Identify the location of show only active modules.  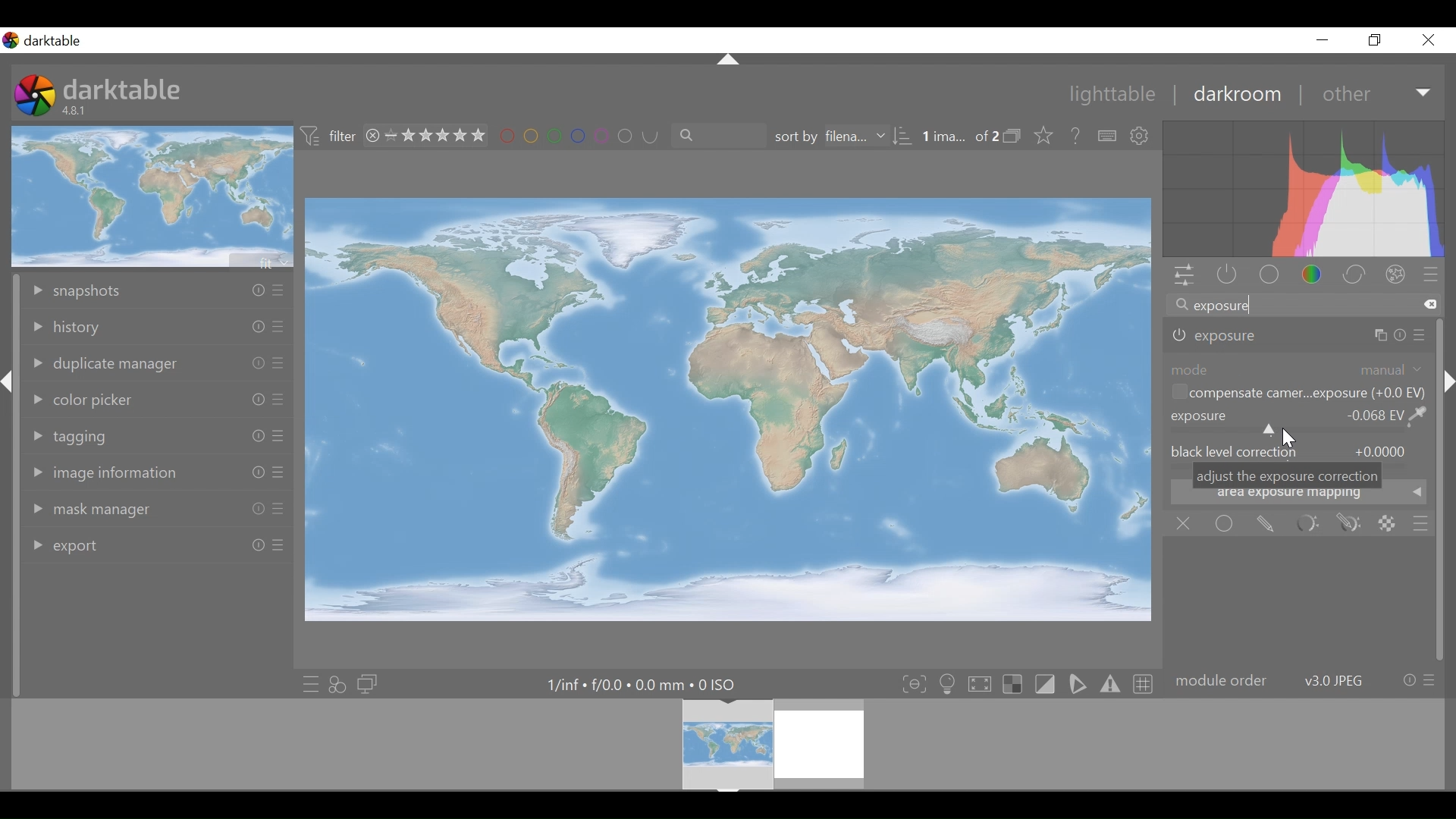
(1227, 275).